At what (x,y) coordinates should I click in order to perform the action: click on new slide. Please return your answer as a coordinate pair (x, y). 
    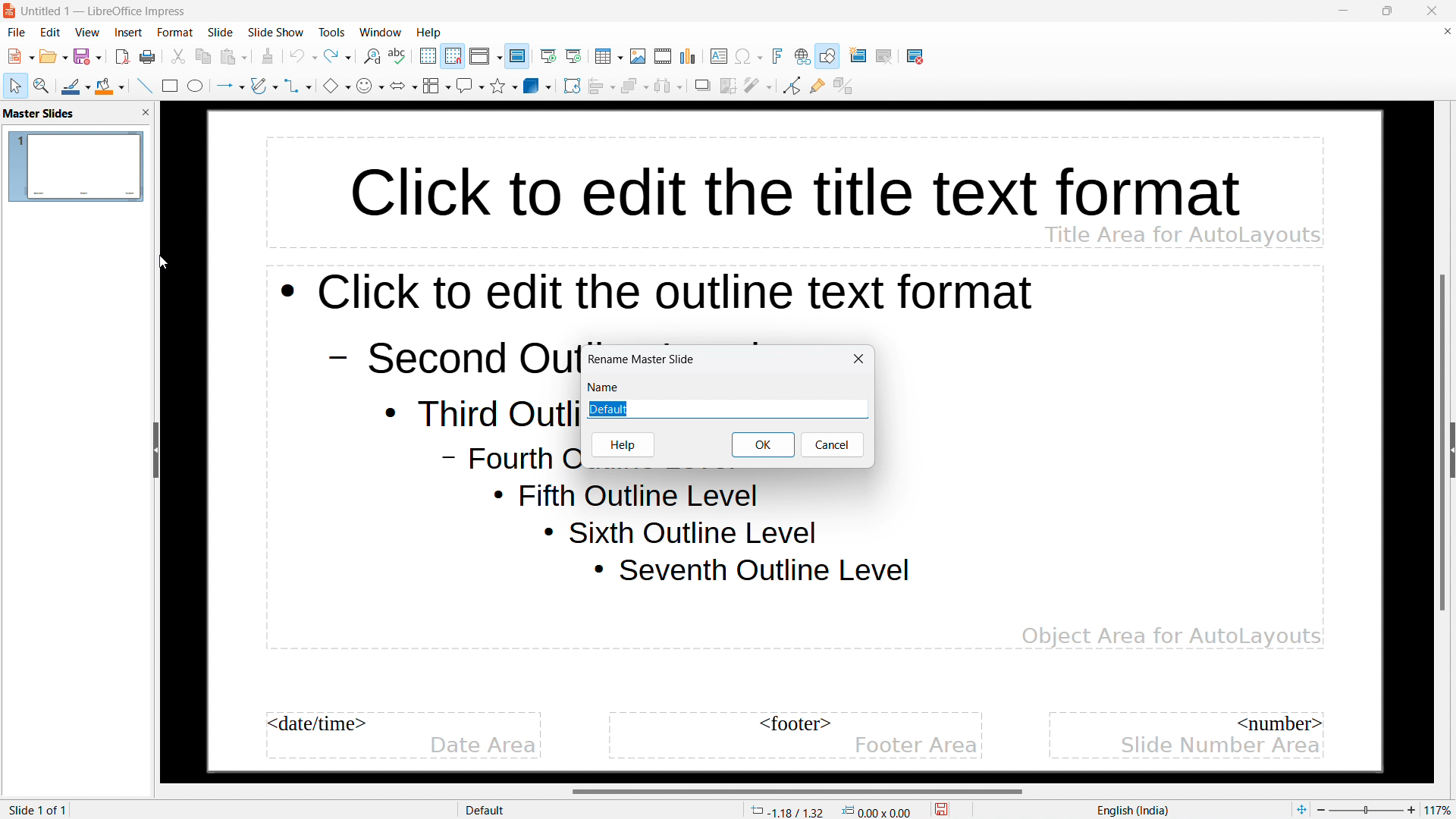
    Looking at the image, I should click on (861, 56).